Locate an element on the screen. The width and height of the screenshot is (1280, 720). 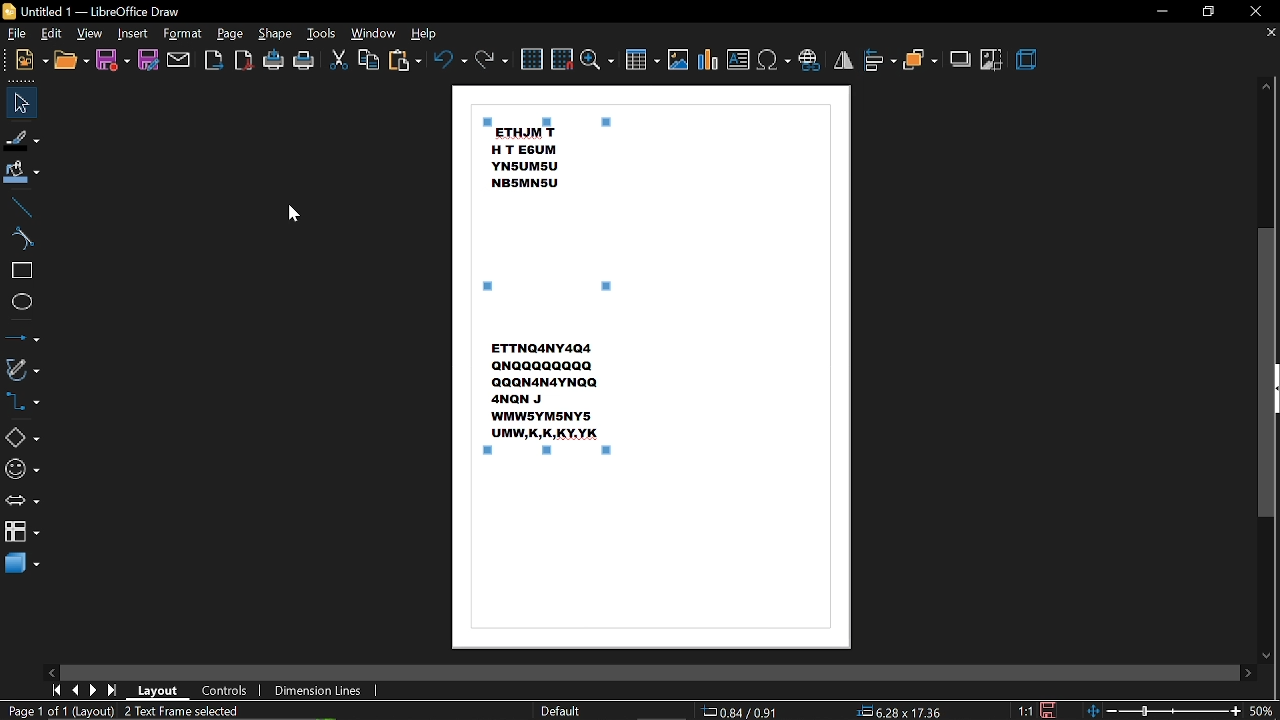
help is located at coordinates (428, 33).